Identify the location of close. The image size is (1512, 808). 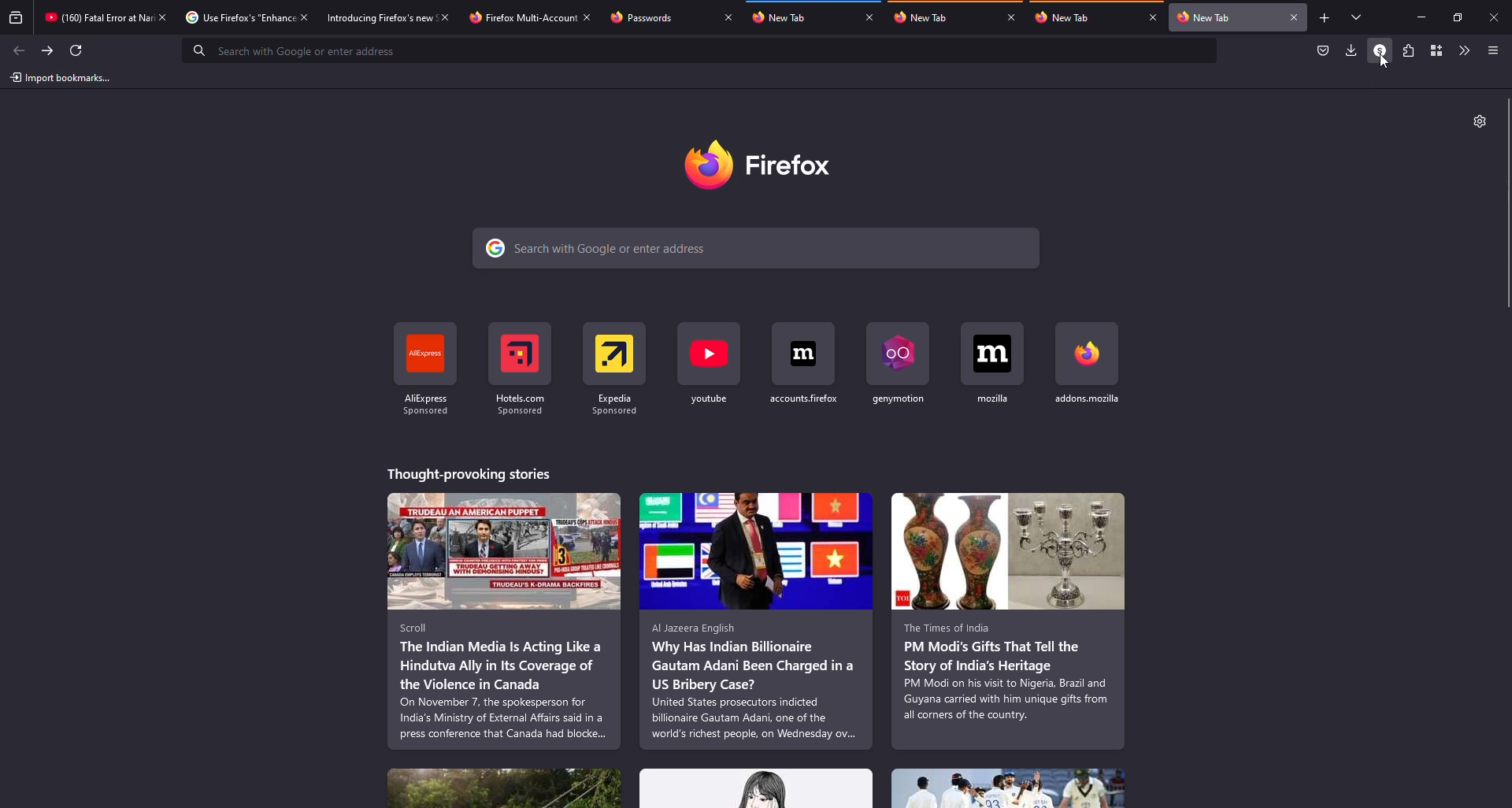
(1151, 17).